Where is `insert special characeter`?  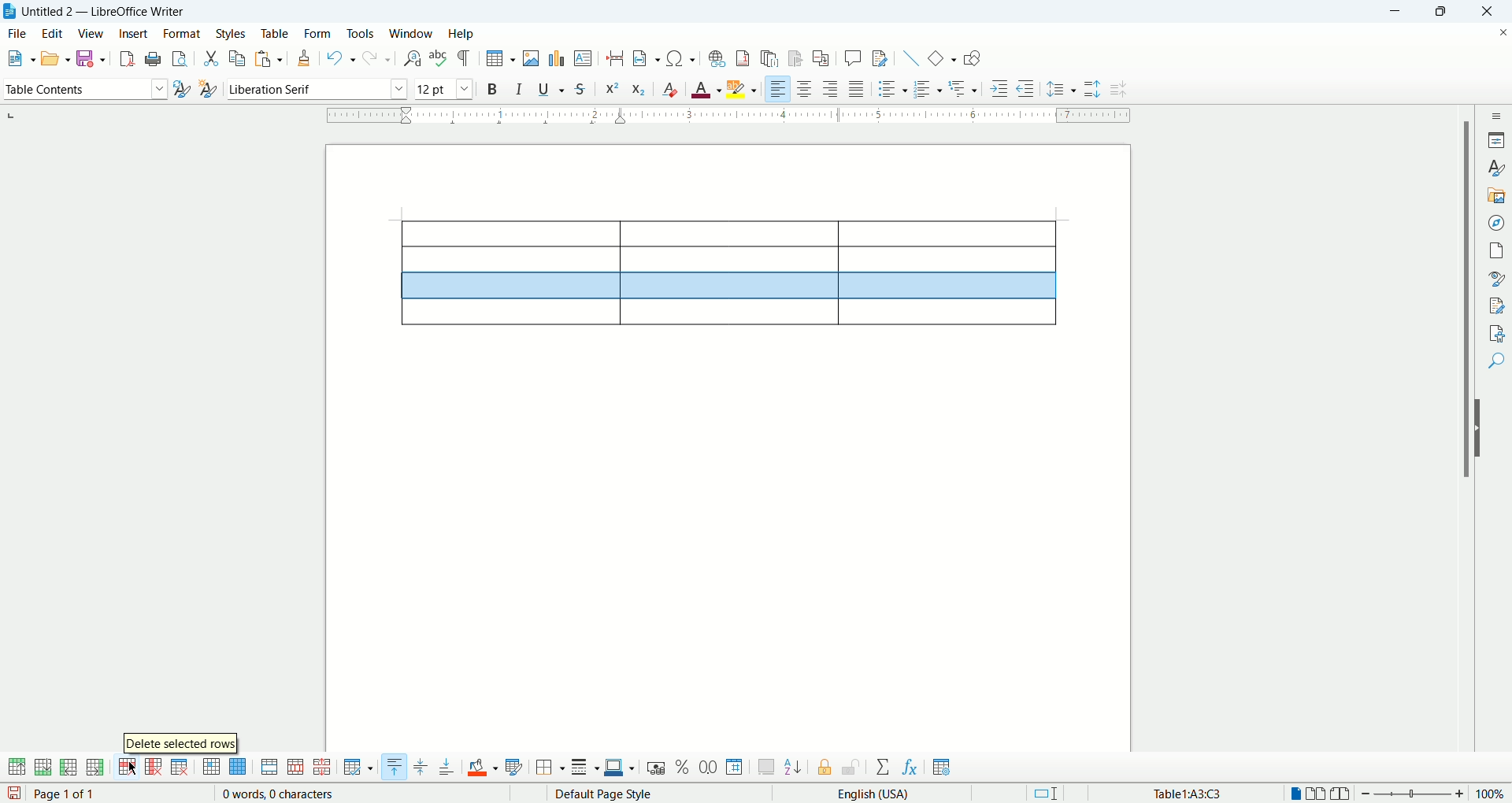
insert special characeter is located at coordinates (680, 57).